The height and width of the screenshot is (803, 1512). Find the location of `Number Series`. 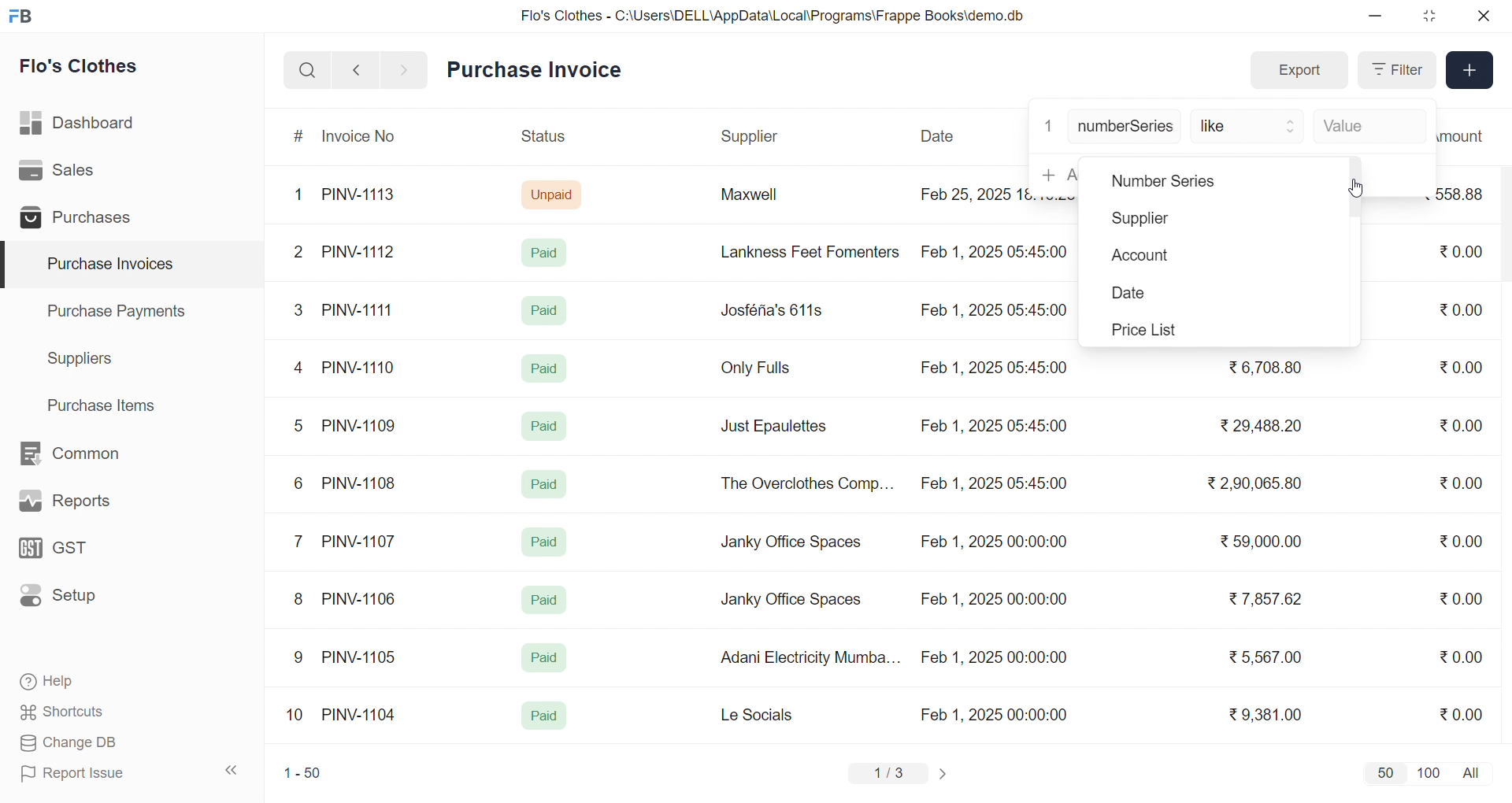

Number Series is located at coordinates (1177, 183).